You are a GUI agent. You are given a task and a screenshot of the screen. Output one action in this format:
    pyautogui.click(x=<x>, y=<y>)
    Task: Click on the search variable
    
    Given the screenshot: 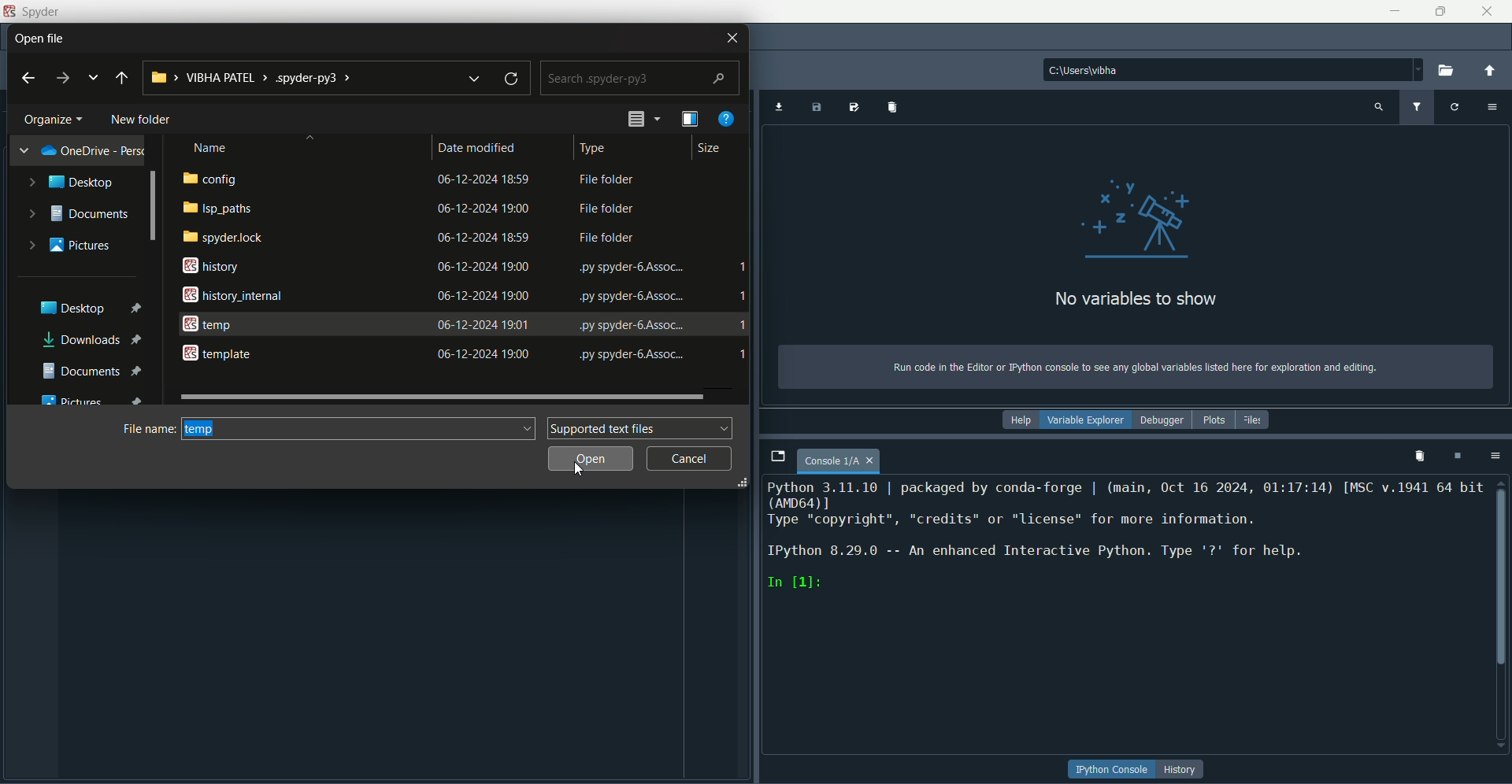 What is the action you would take?
    pyautogui.click(x=1377, y=108)
    